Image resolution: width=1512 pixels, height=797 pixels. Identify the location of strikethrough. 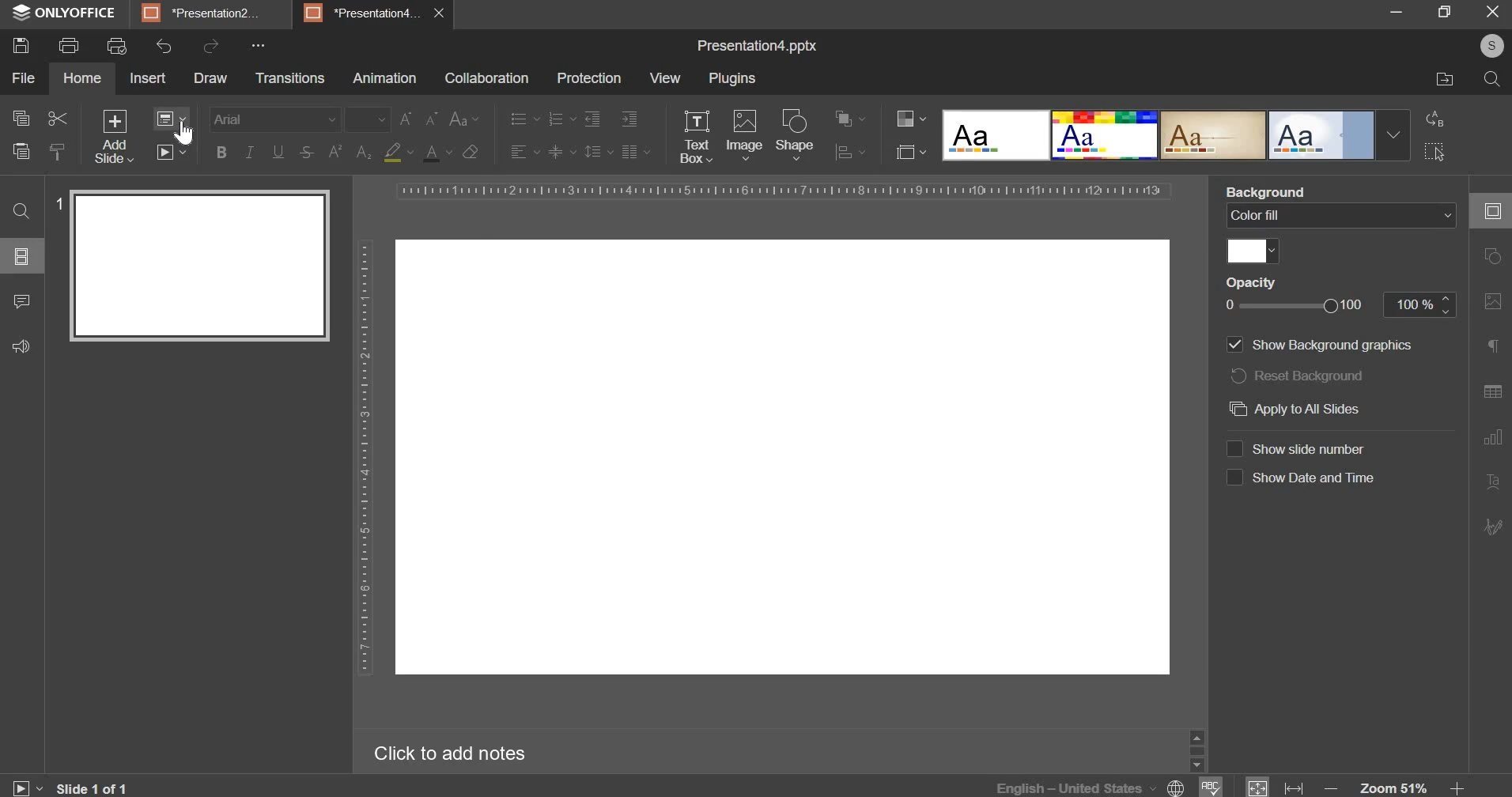
(306, 153).